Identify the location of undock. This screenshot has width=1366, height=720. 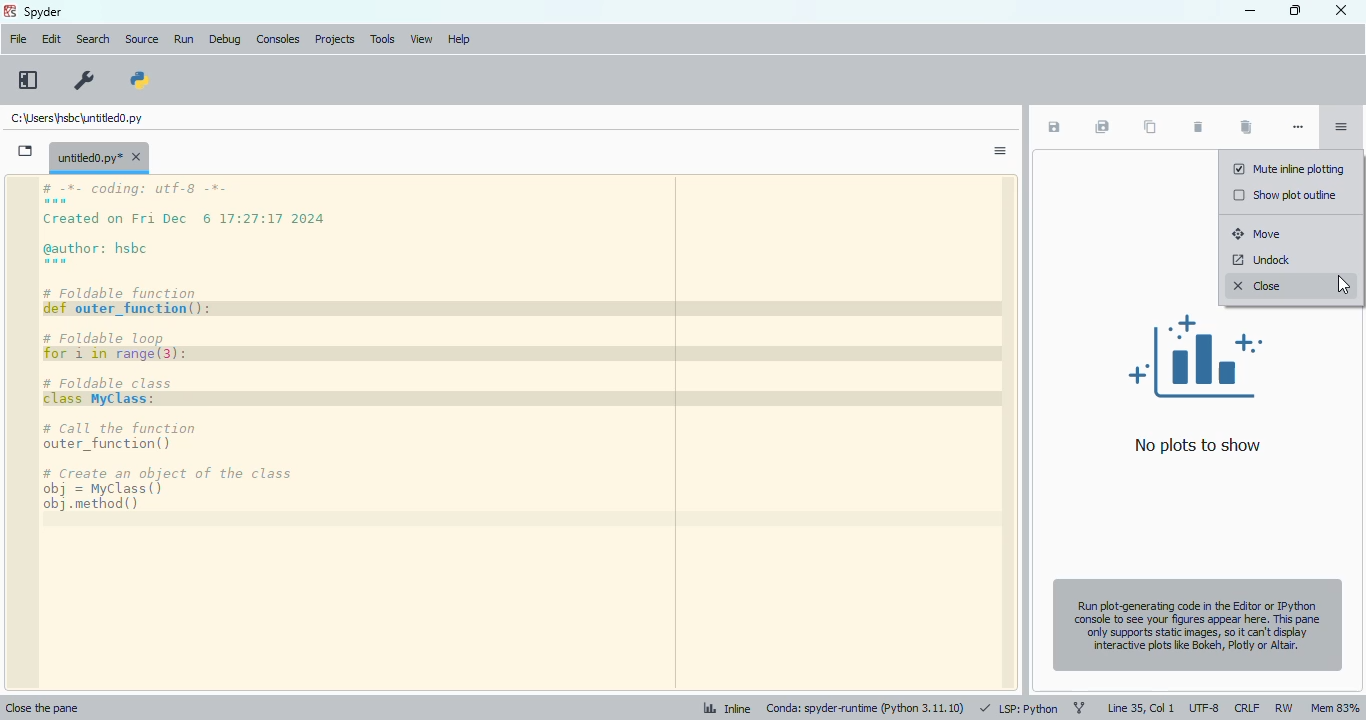
(1260, 261).